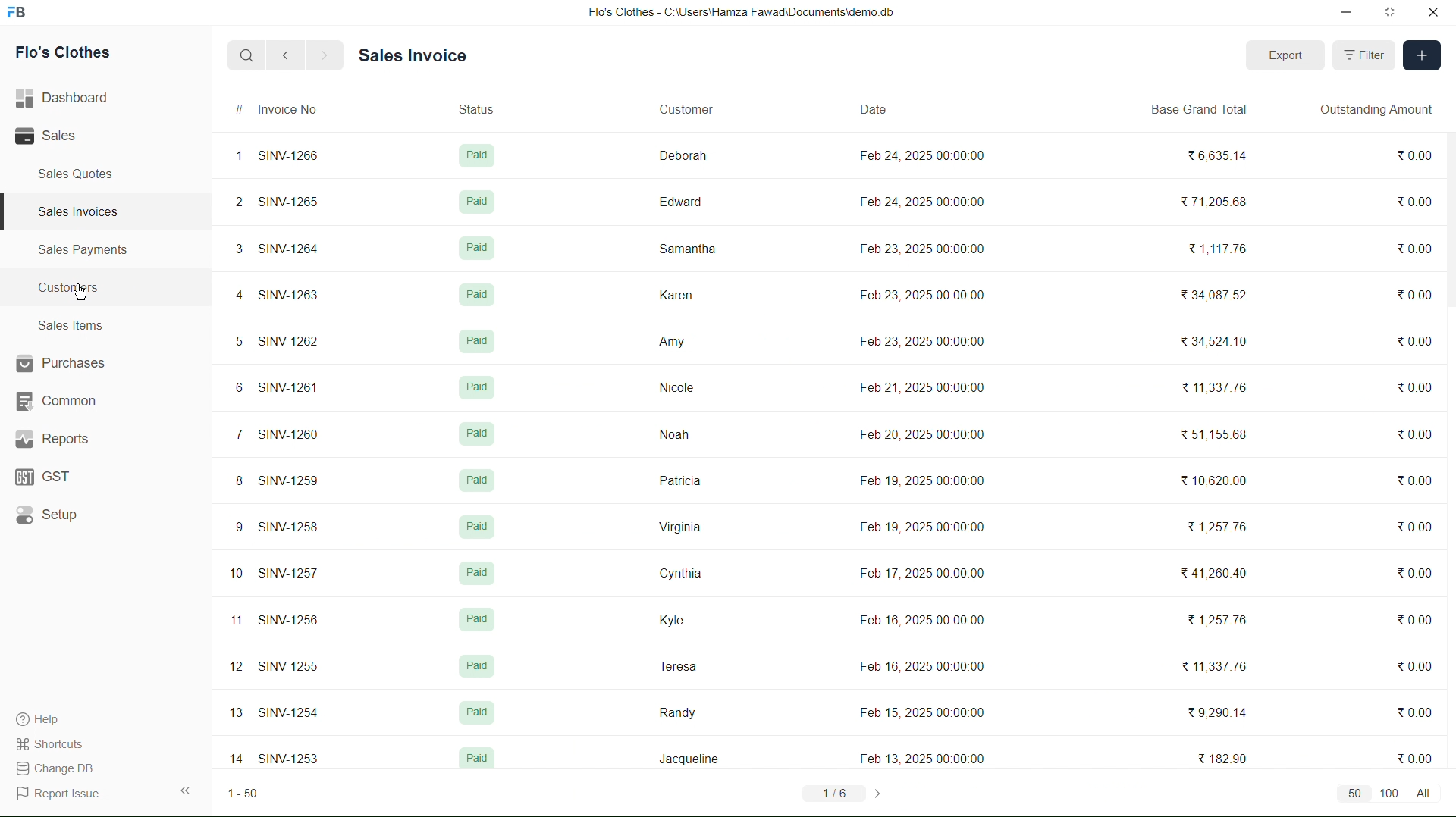  I want to click on Status, so click(472, 105).